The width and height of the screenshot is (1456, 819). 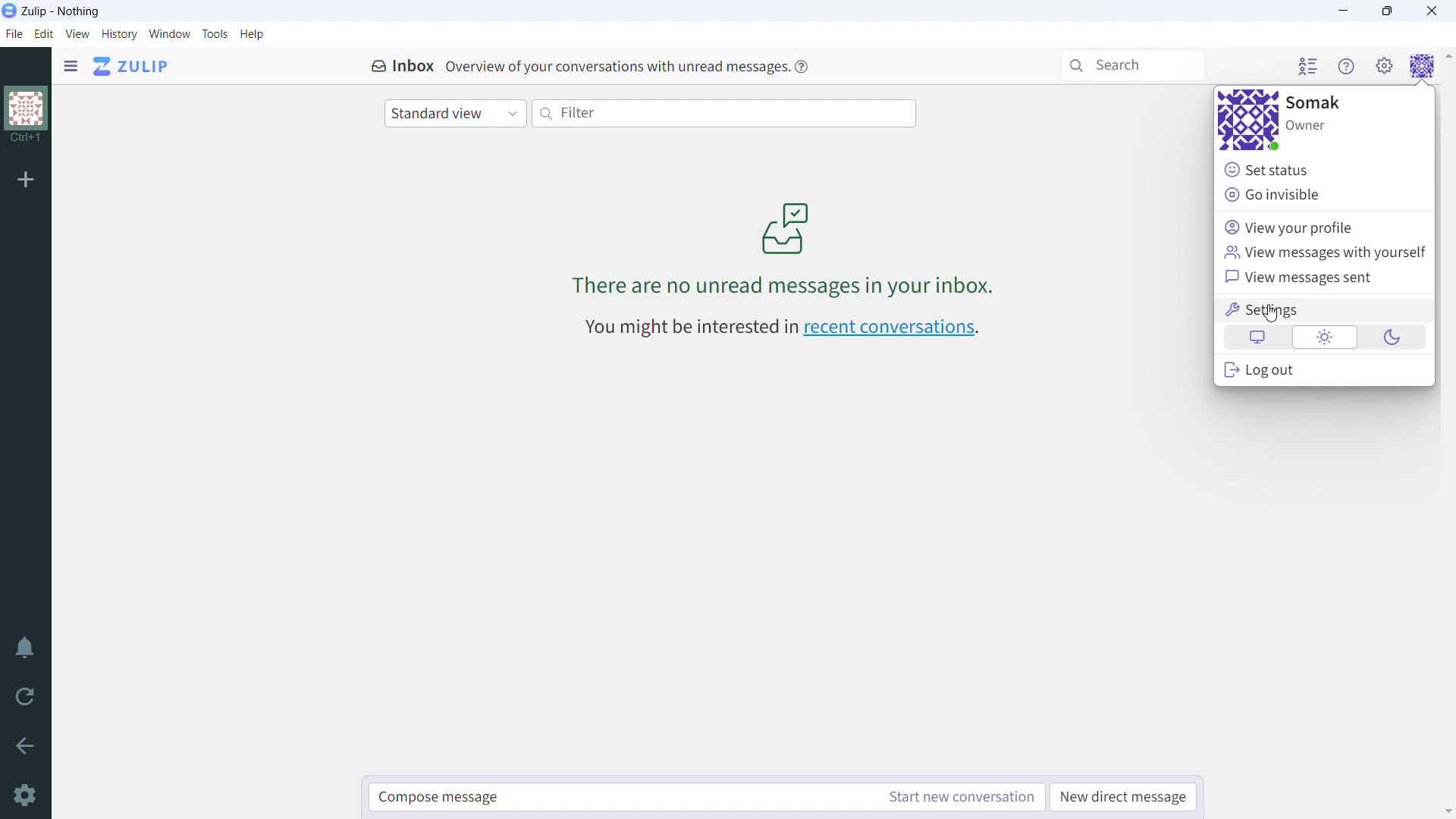 What do you see at coordinates (26, 178) in the screenshot?
I see `add organization` at bounding box center [26, 178].